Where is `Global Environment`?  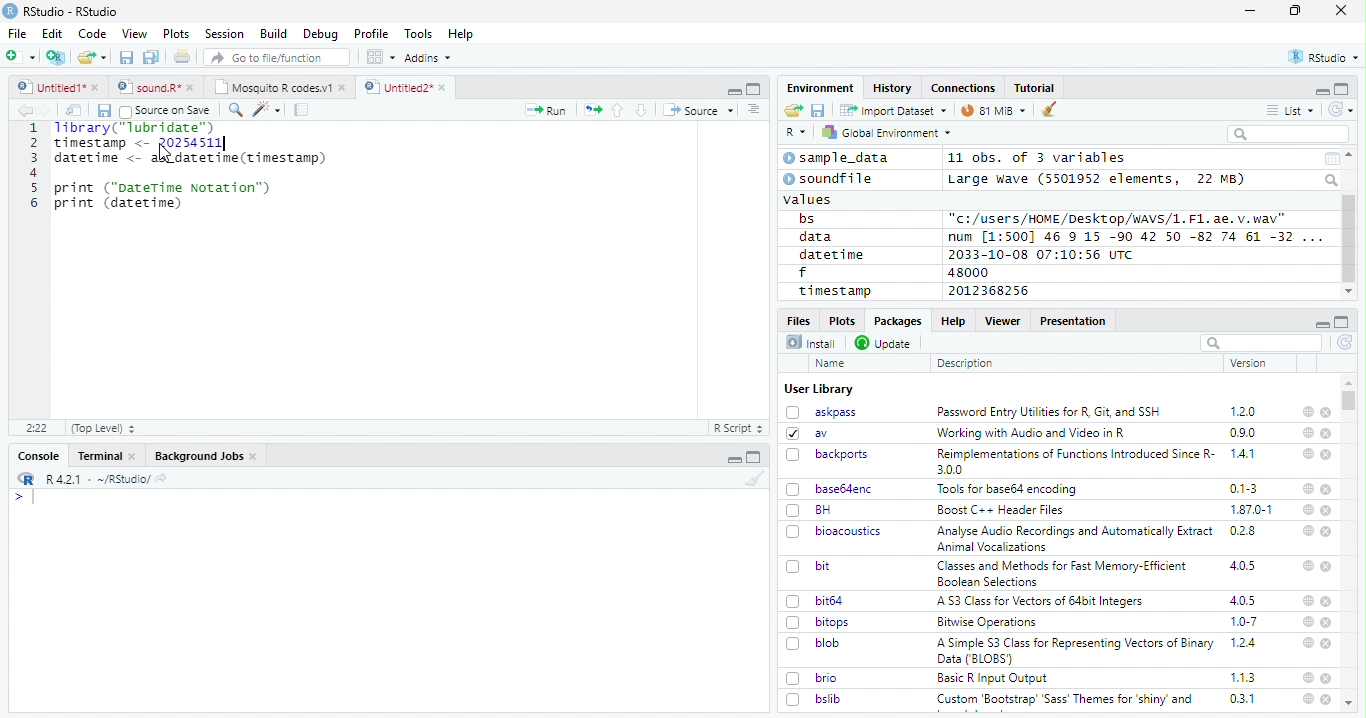 Global Environment is located at coordinates (888, 131).